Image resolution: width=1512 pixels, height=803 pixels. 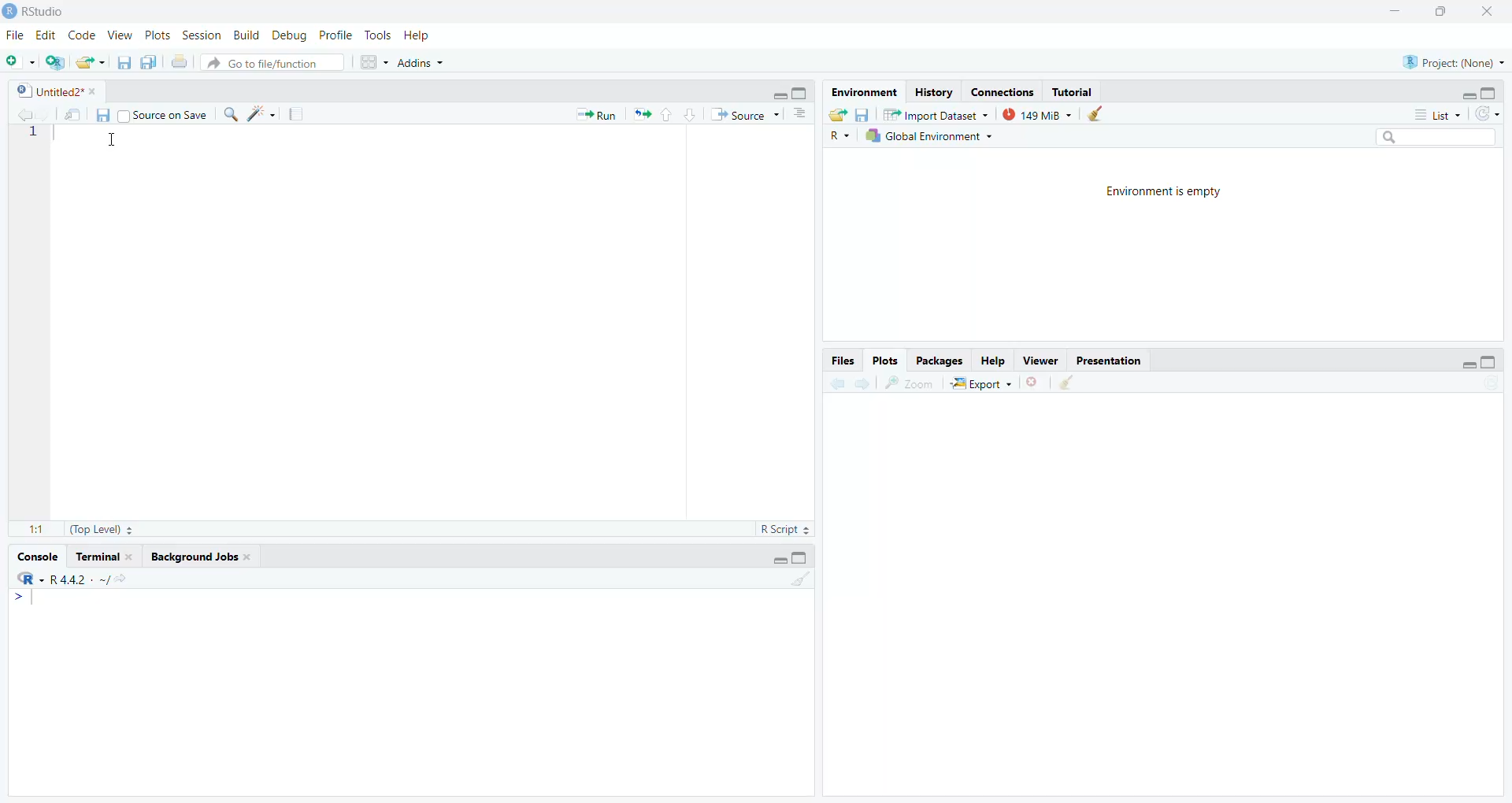 I want to click on Find/Replace, so click(x=231, y=113).